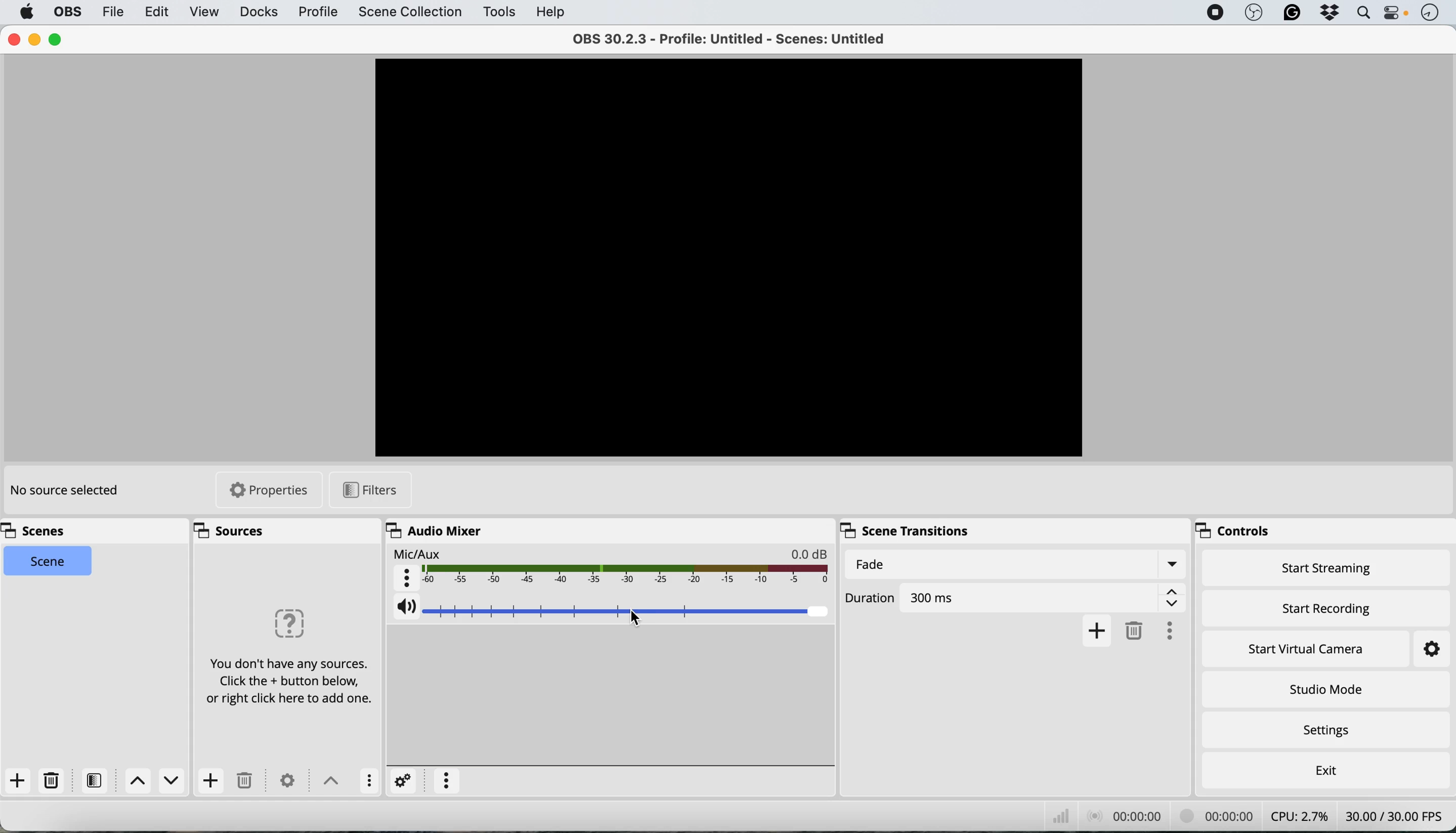 The width and height of the screenshot is (1456, 833). I want to click on scene transitions, so click(908, 531).